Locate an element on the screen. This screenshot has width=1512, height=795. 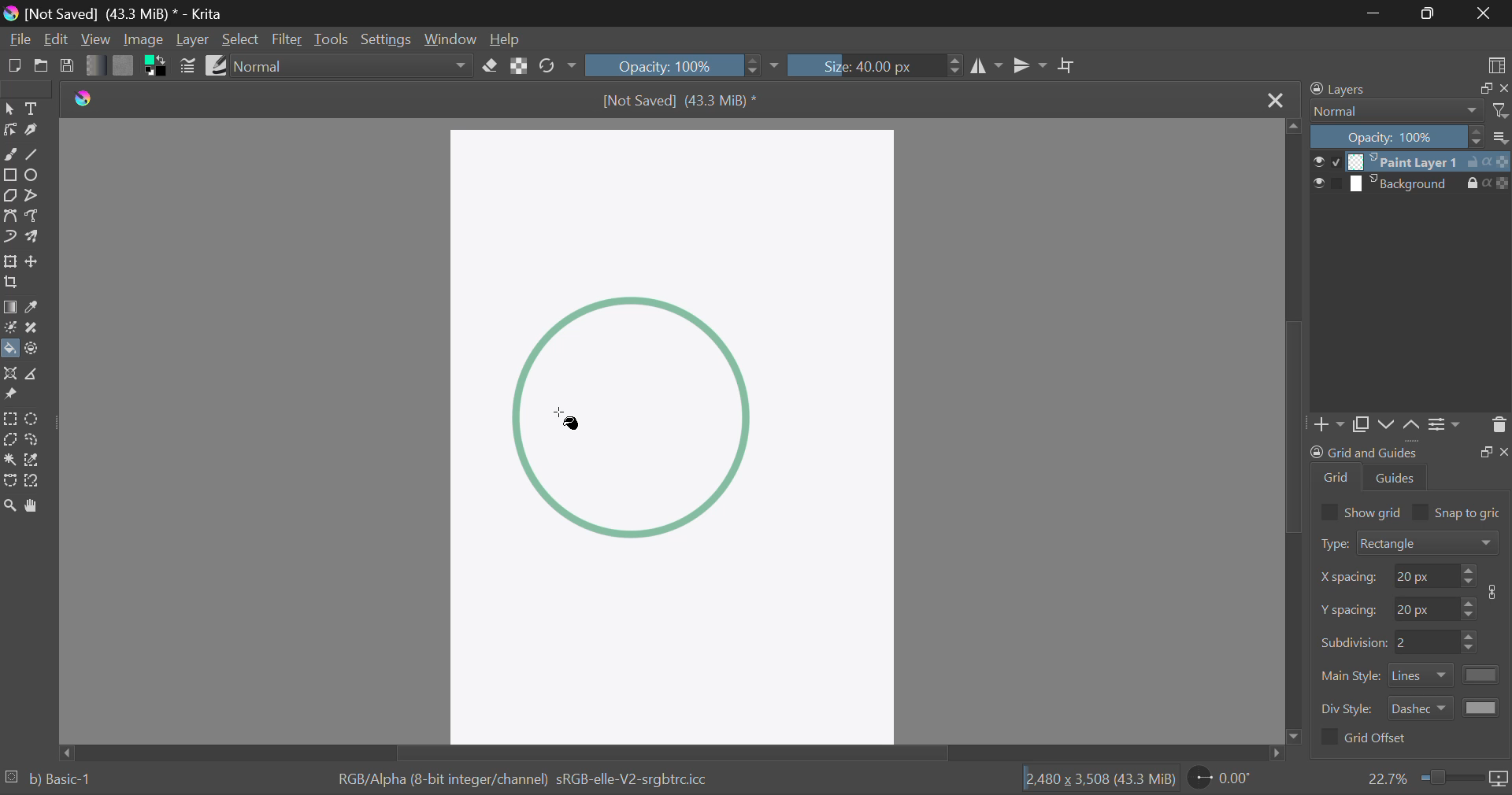
Add Layer is located at coordinates (1331, 426).